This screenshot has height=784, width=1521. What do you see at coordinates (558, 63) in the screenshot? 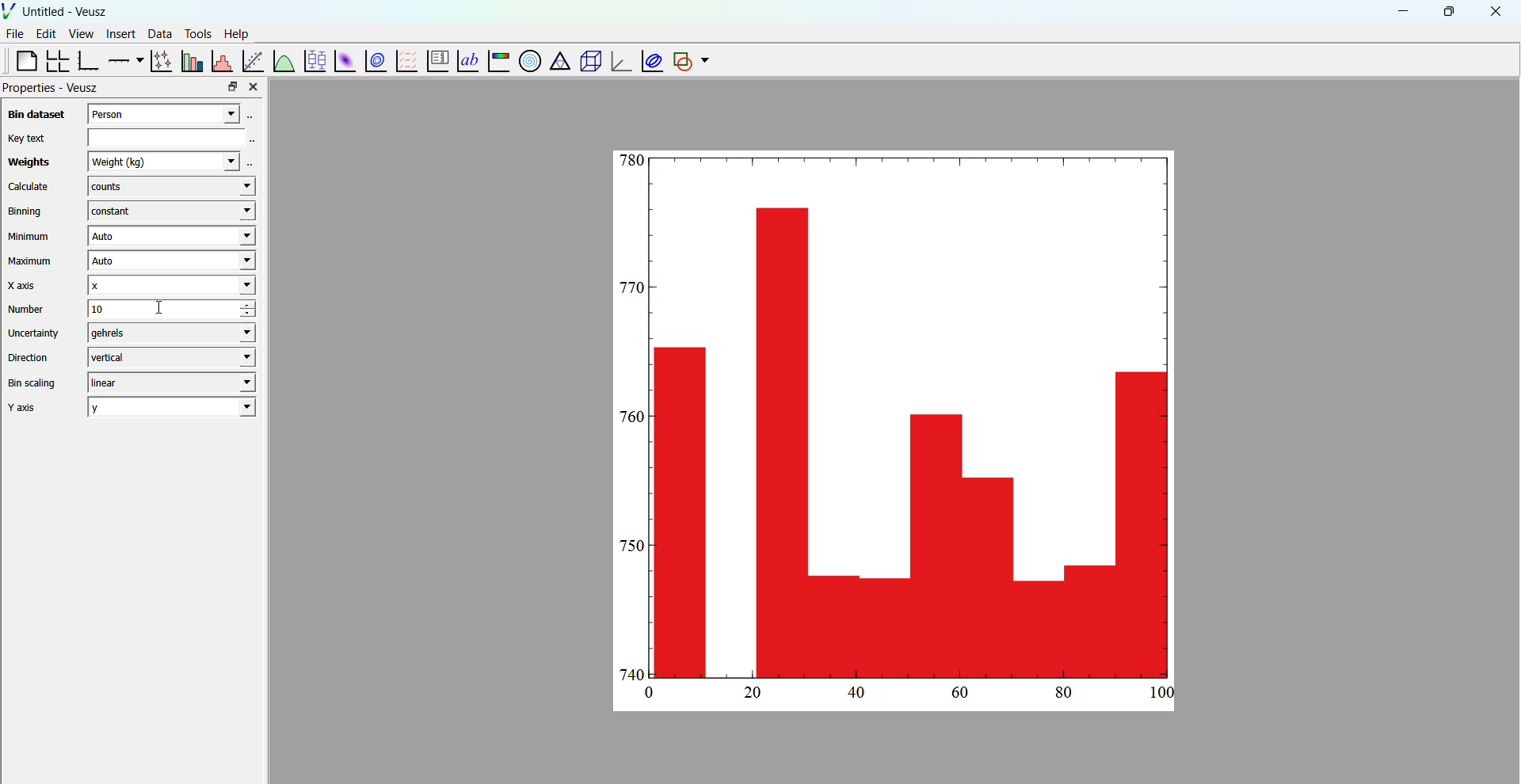
I see `ternary graph` at bounding box center [558, 63].